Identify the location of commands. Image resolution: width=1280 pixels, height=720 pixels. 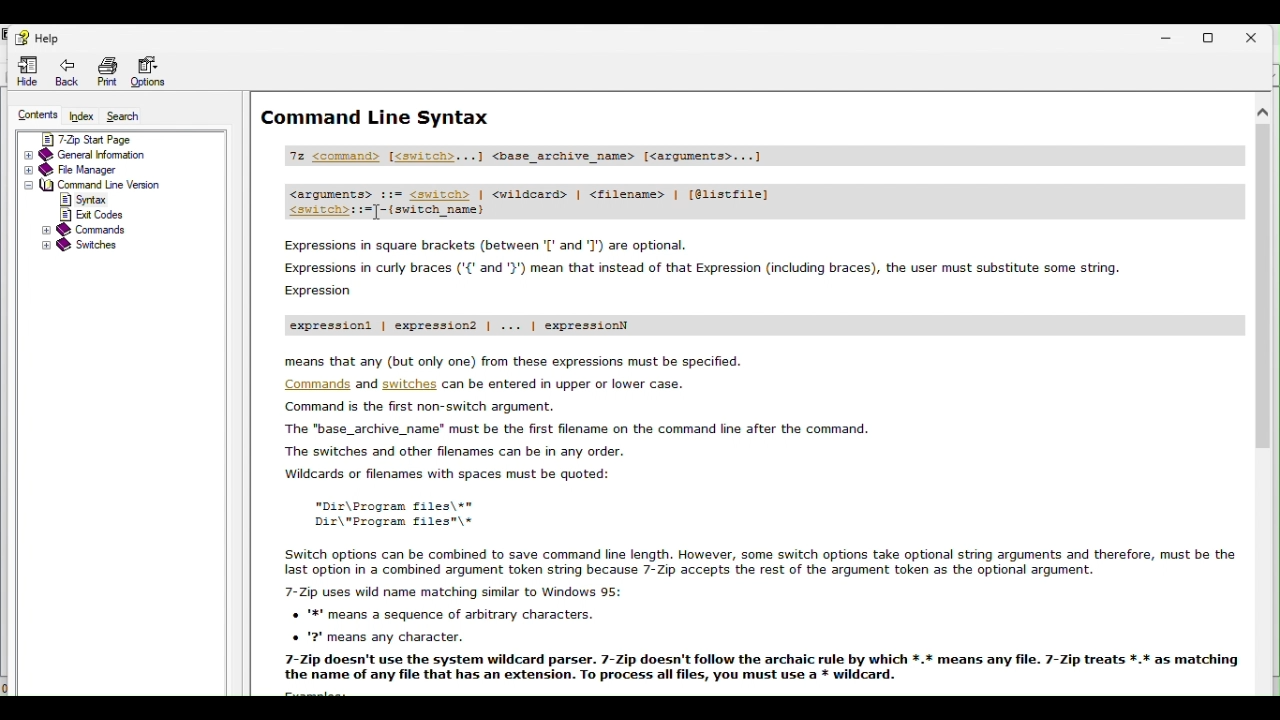
(88, 232).